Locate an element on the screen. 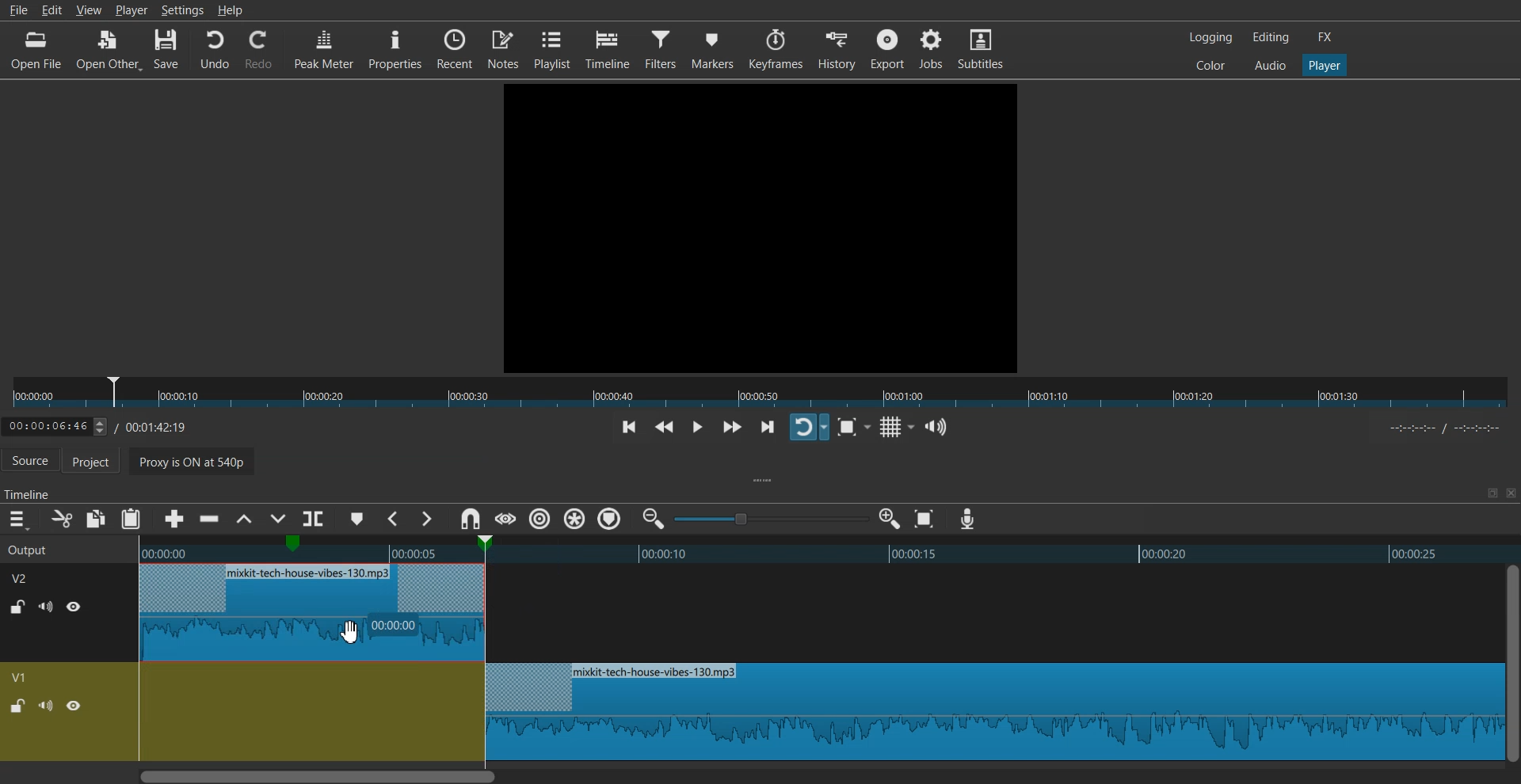  Copy is located at coordinates (97, 519).